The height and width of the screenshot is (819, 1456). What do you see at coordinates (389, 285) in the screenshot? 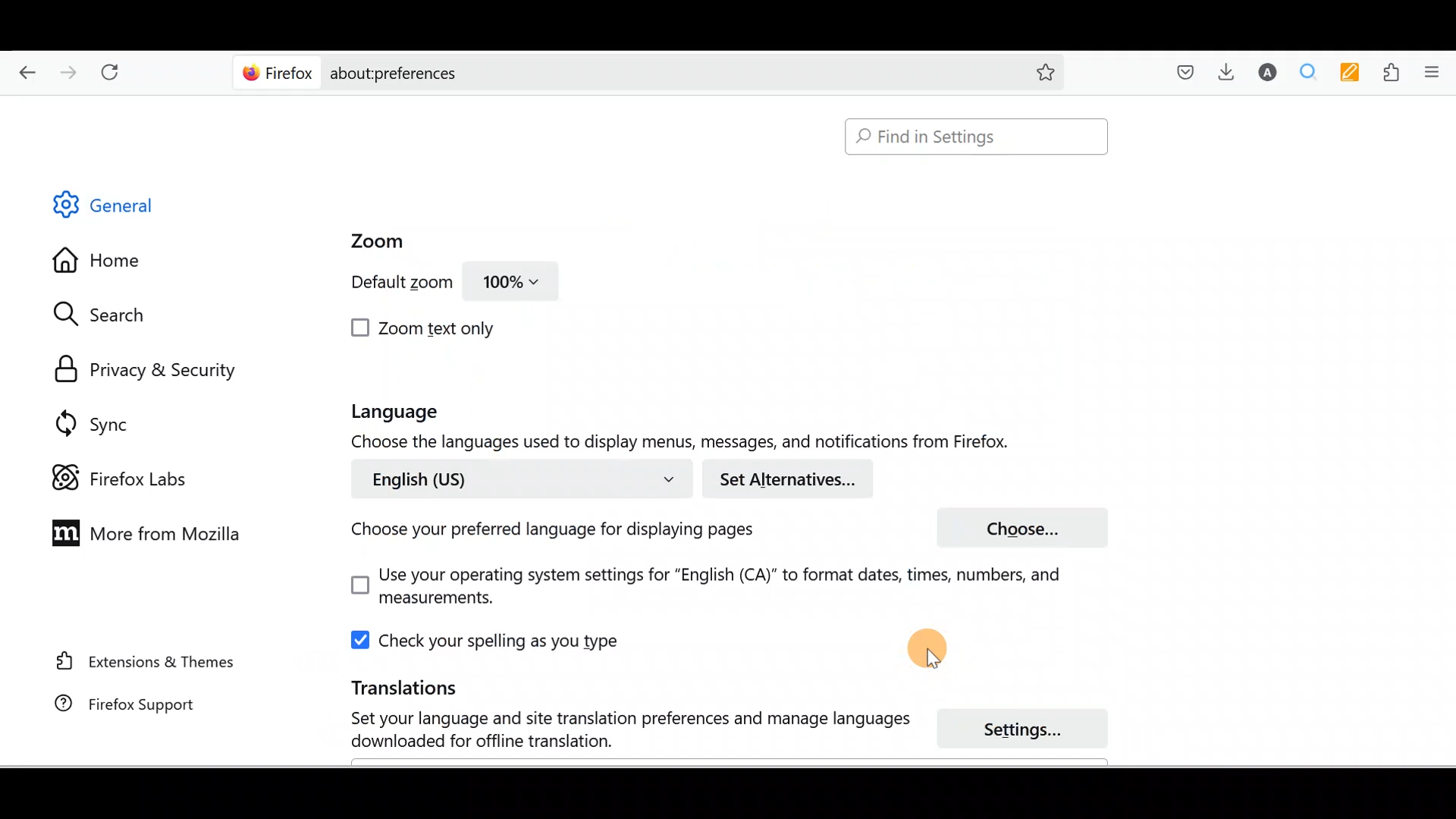
I see `Default zoom` at bounding box center [389, 285].